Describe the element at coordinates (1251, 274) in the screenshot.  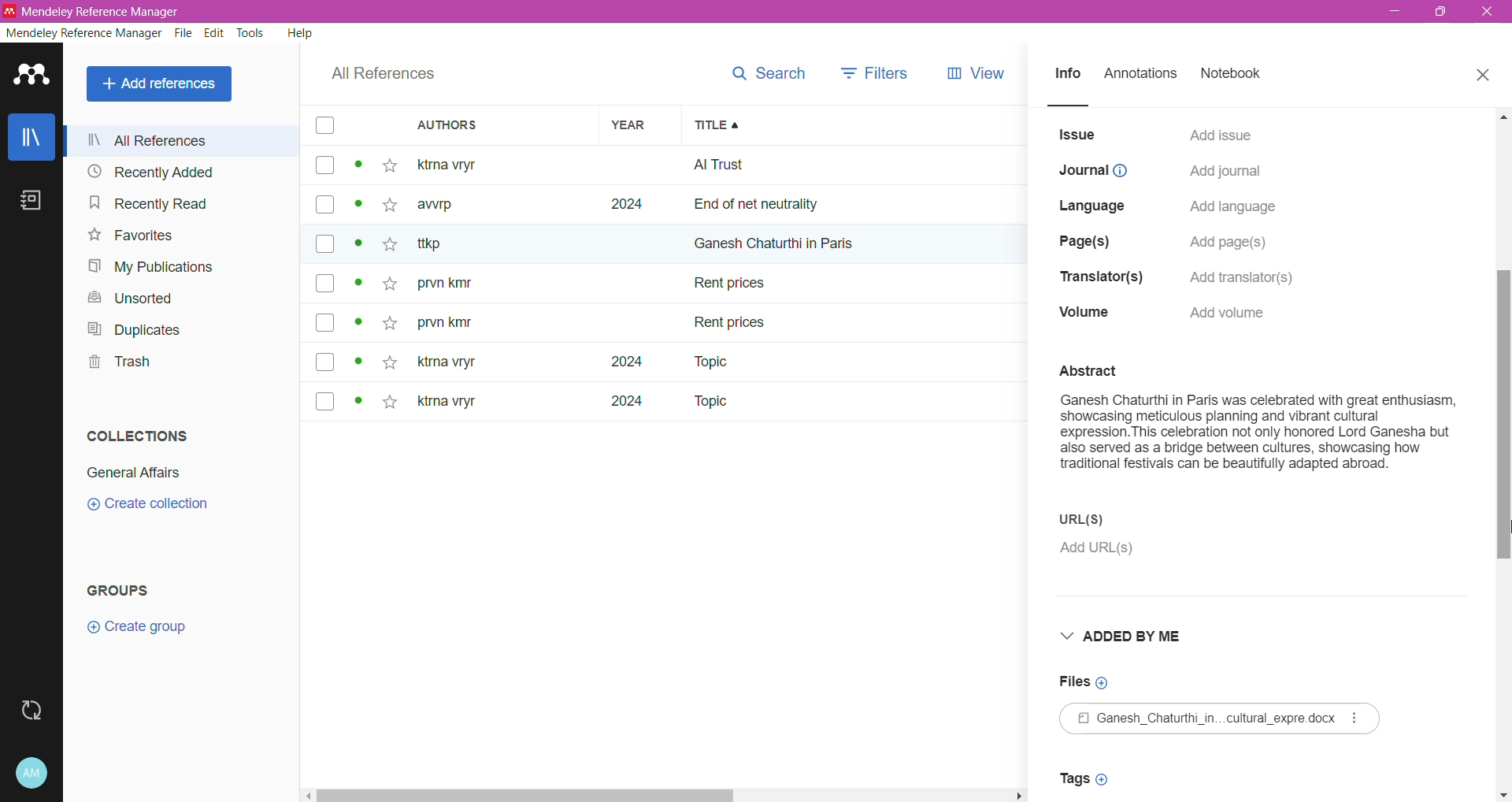
I see `Click to add translators` at that location.